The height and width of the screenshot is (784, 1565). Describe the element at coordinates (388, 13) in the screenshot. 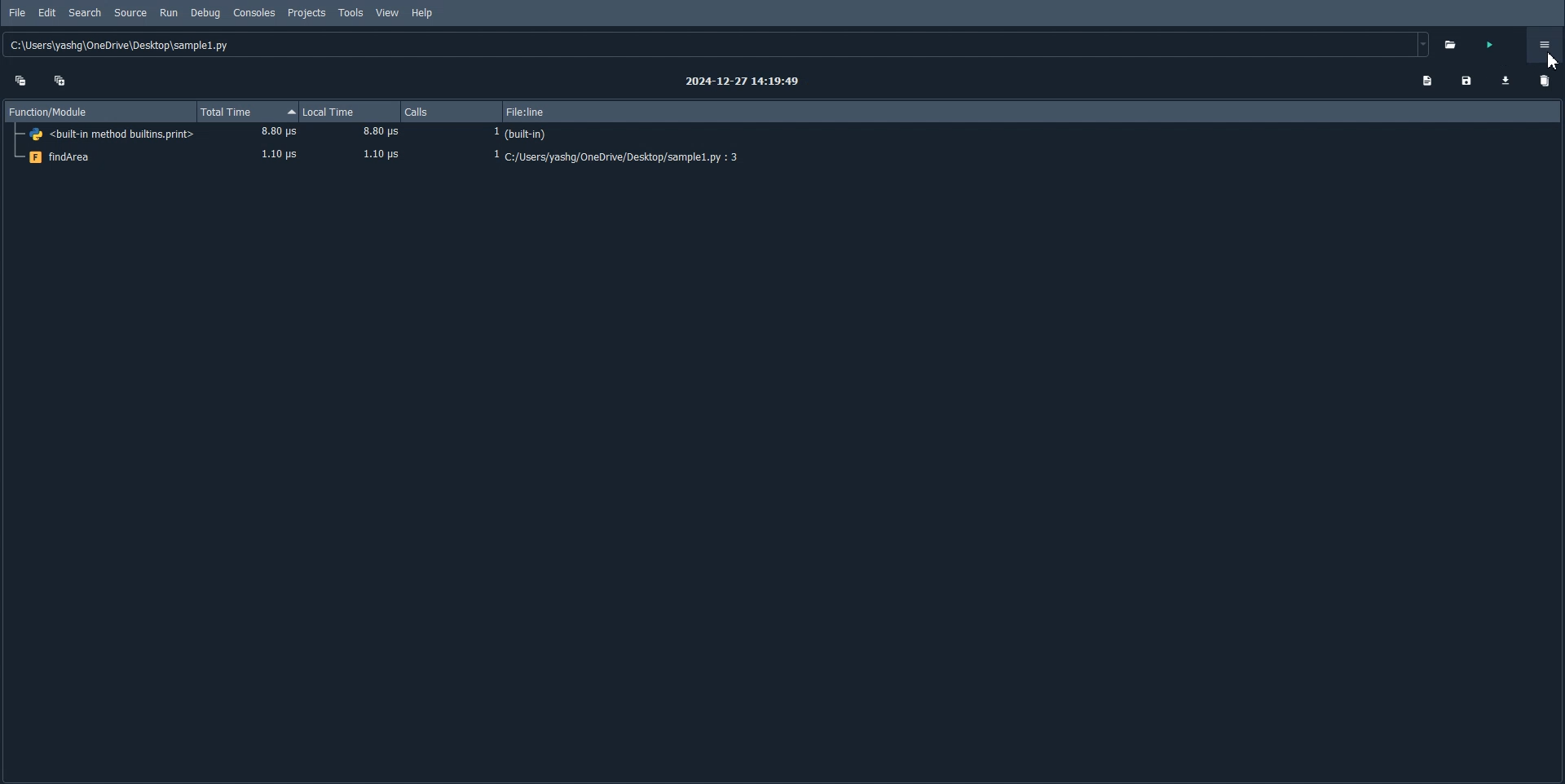

I see `View` at that location.